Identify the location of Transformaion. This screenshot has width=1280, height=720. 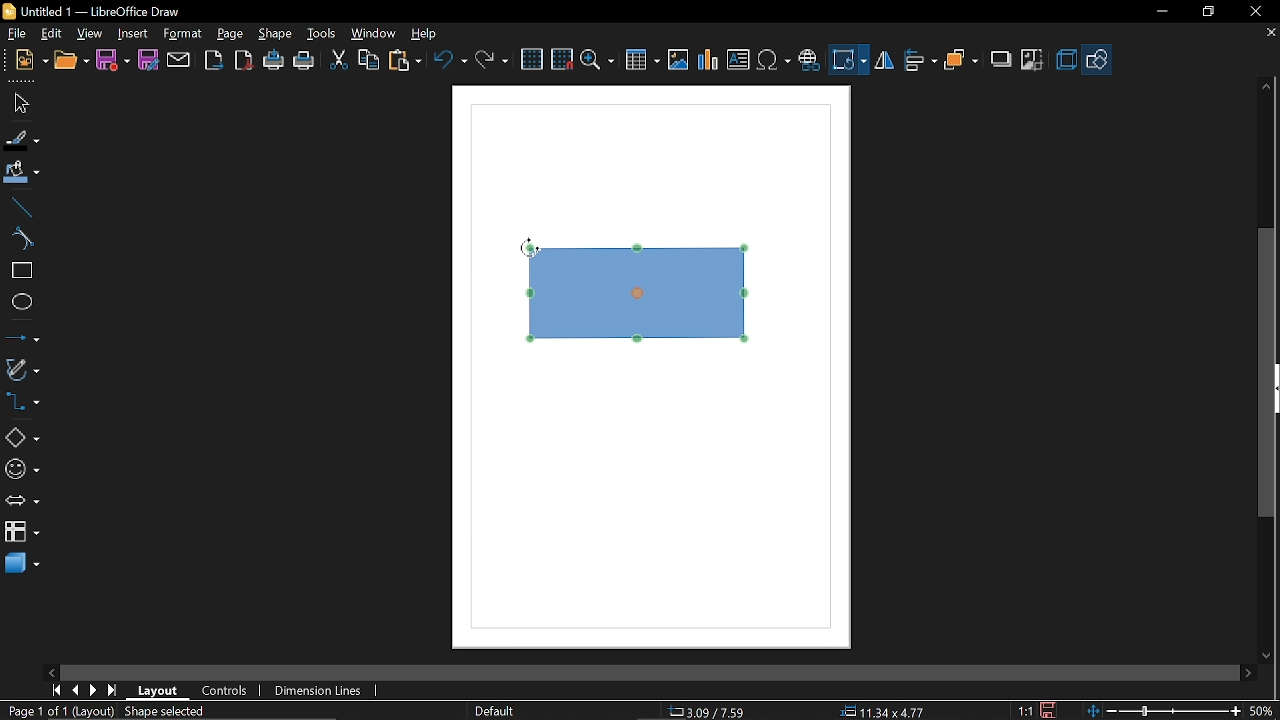
(850, 60).